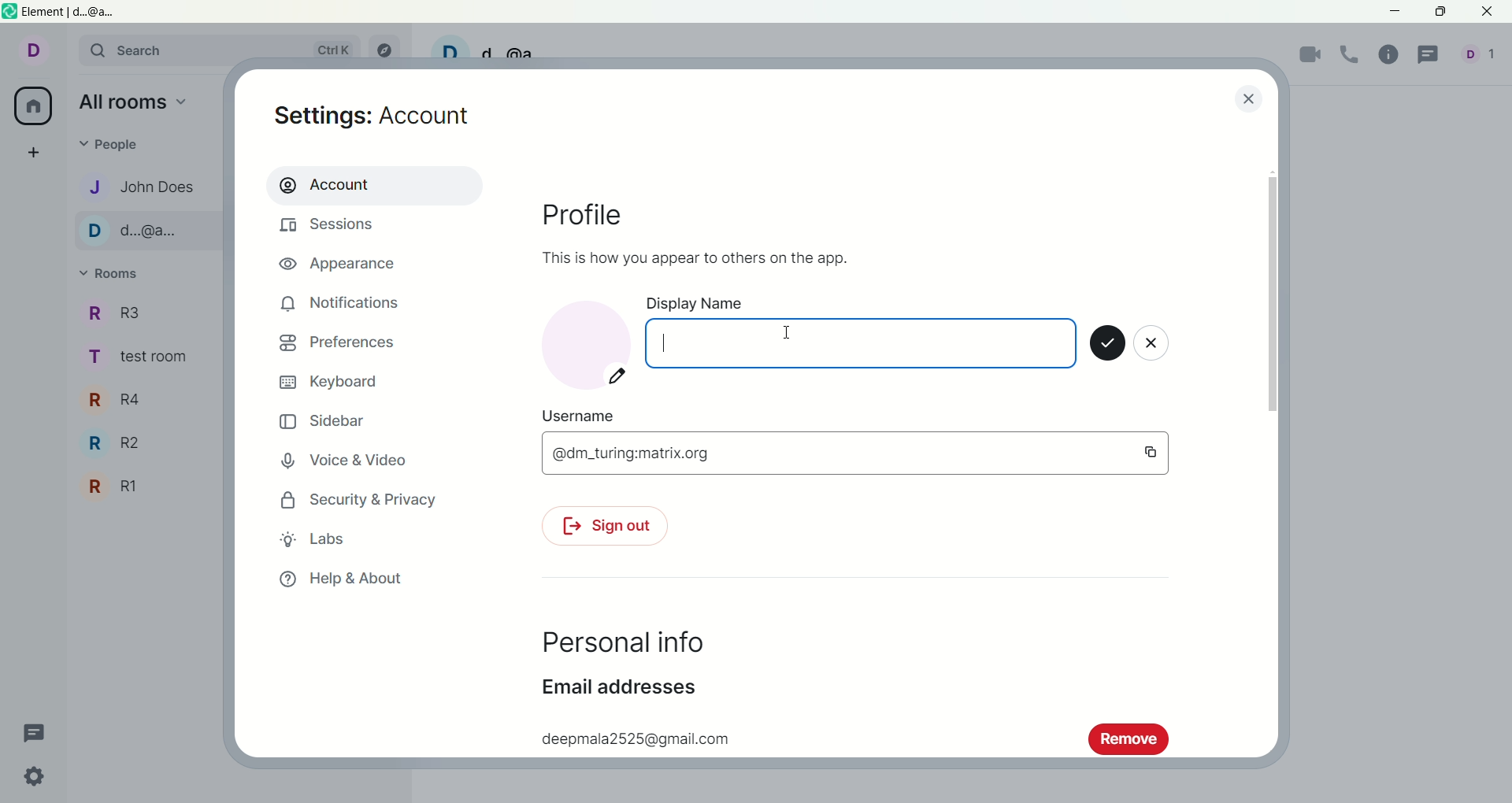 Image resolution: width=1512 pixels, height=803 pixels. What do you see at coordinates (31, 107) in the screenshot?
I see `all room` at bounding box center [31, 107].